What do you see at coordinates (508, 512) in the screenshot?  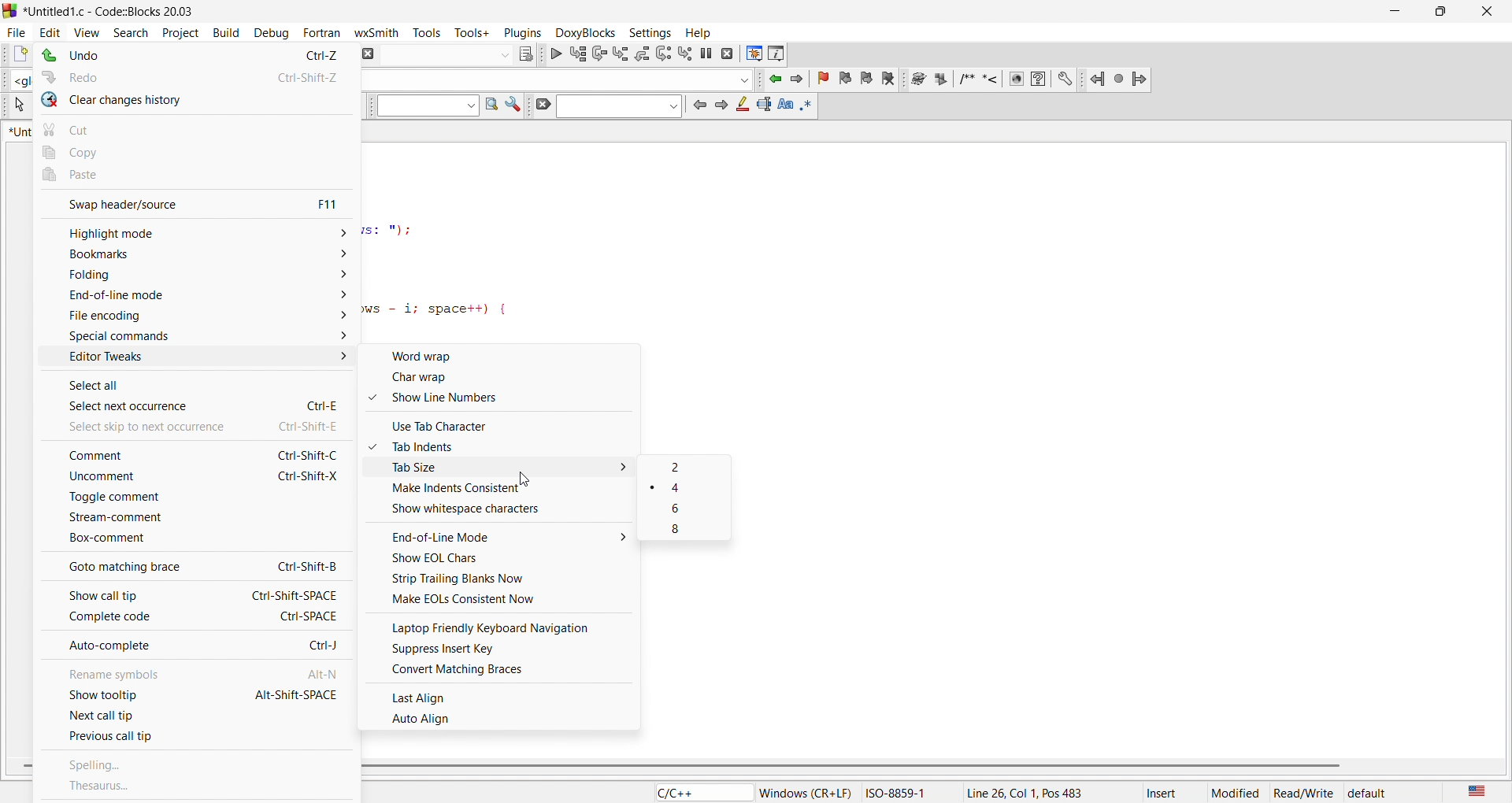 I see `show whitespace characters` at bounding box center [508, 512].